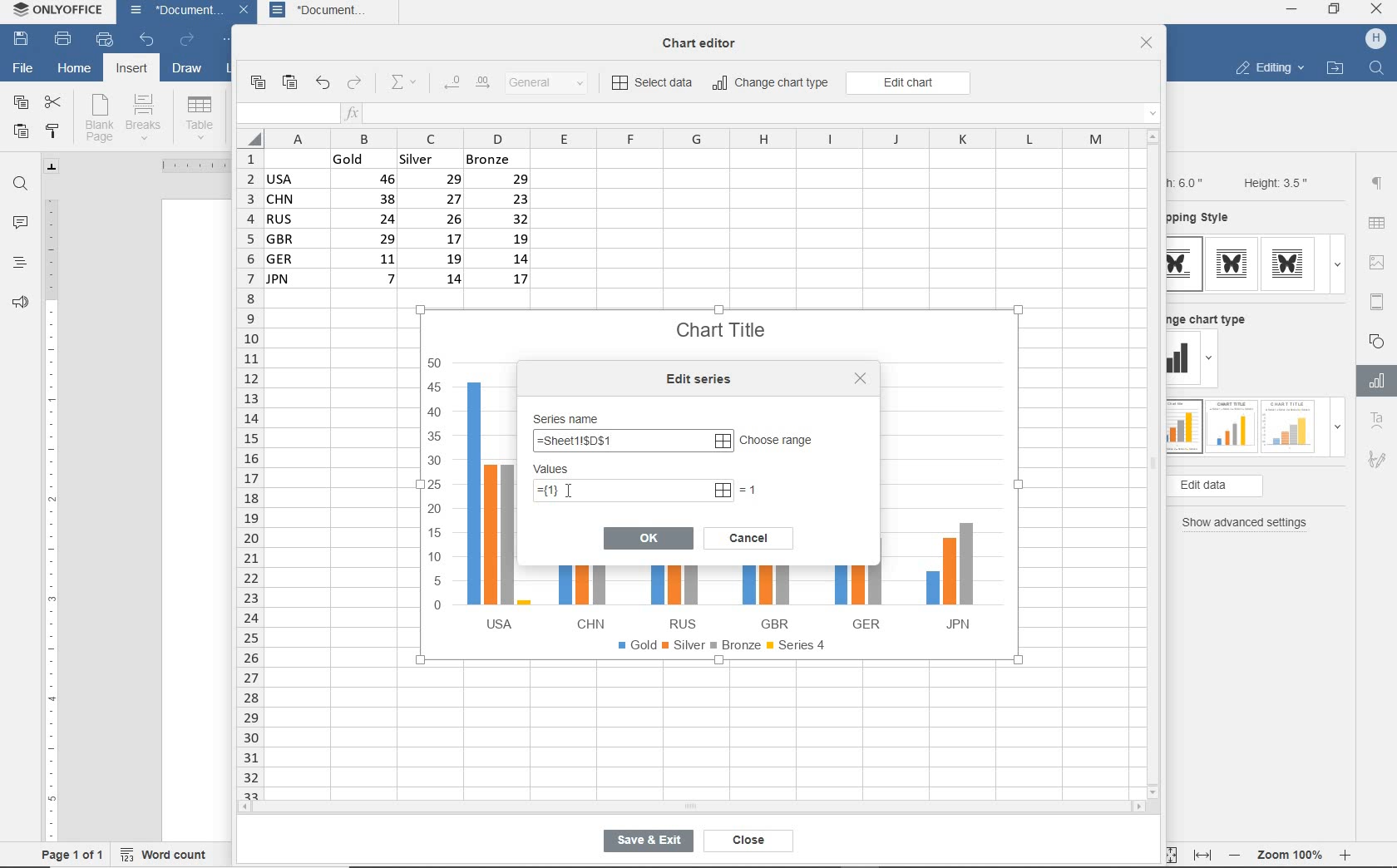  I want to click on close, so click(1147, 44).